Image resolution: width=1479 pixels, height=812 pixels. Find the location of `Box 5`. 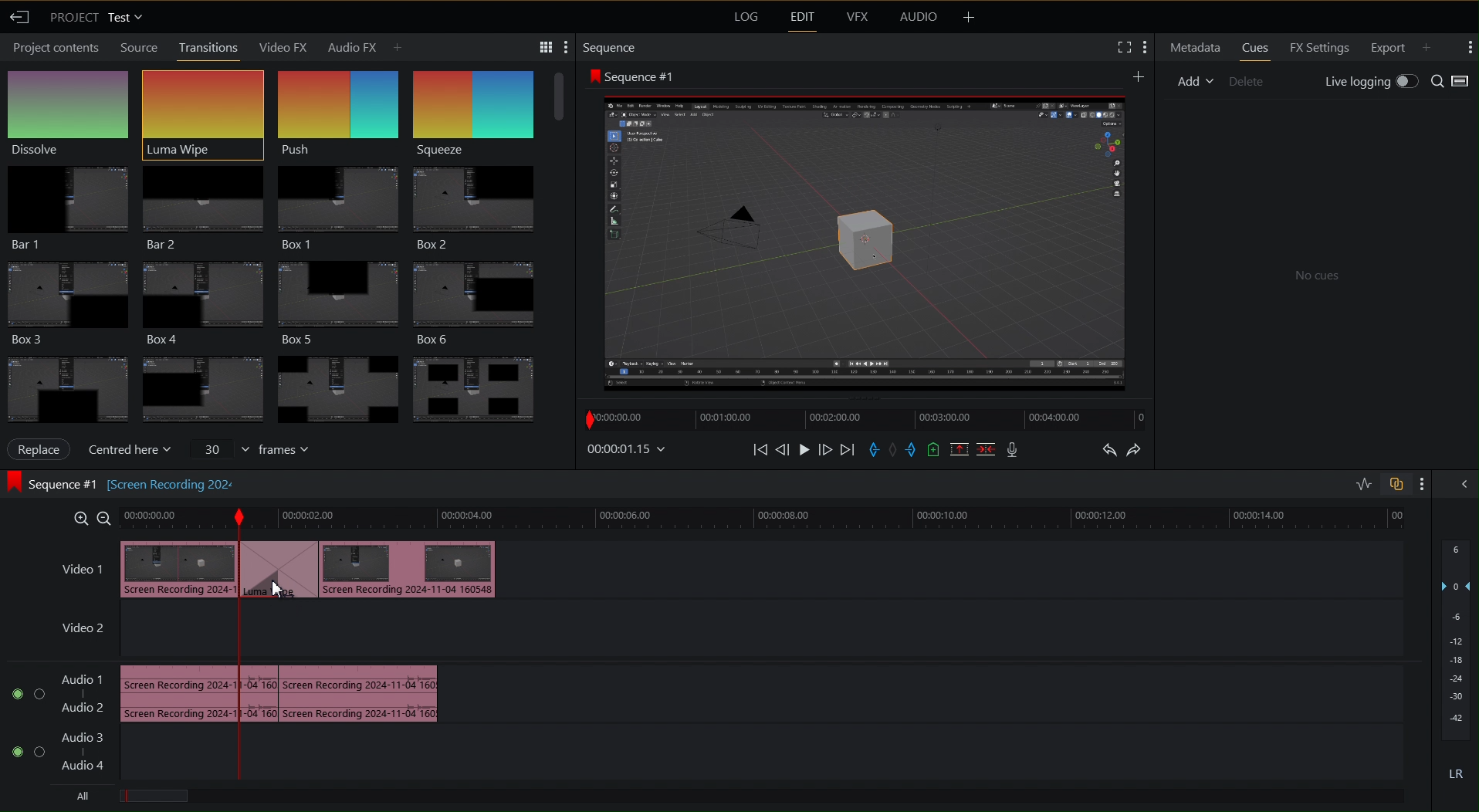

Box 5 is located at coordinates (341, 297).